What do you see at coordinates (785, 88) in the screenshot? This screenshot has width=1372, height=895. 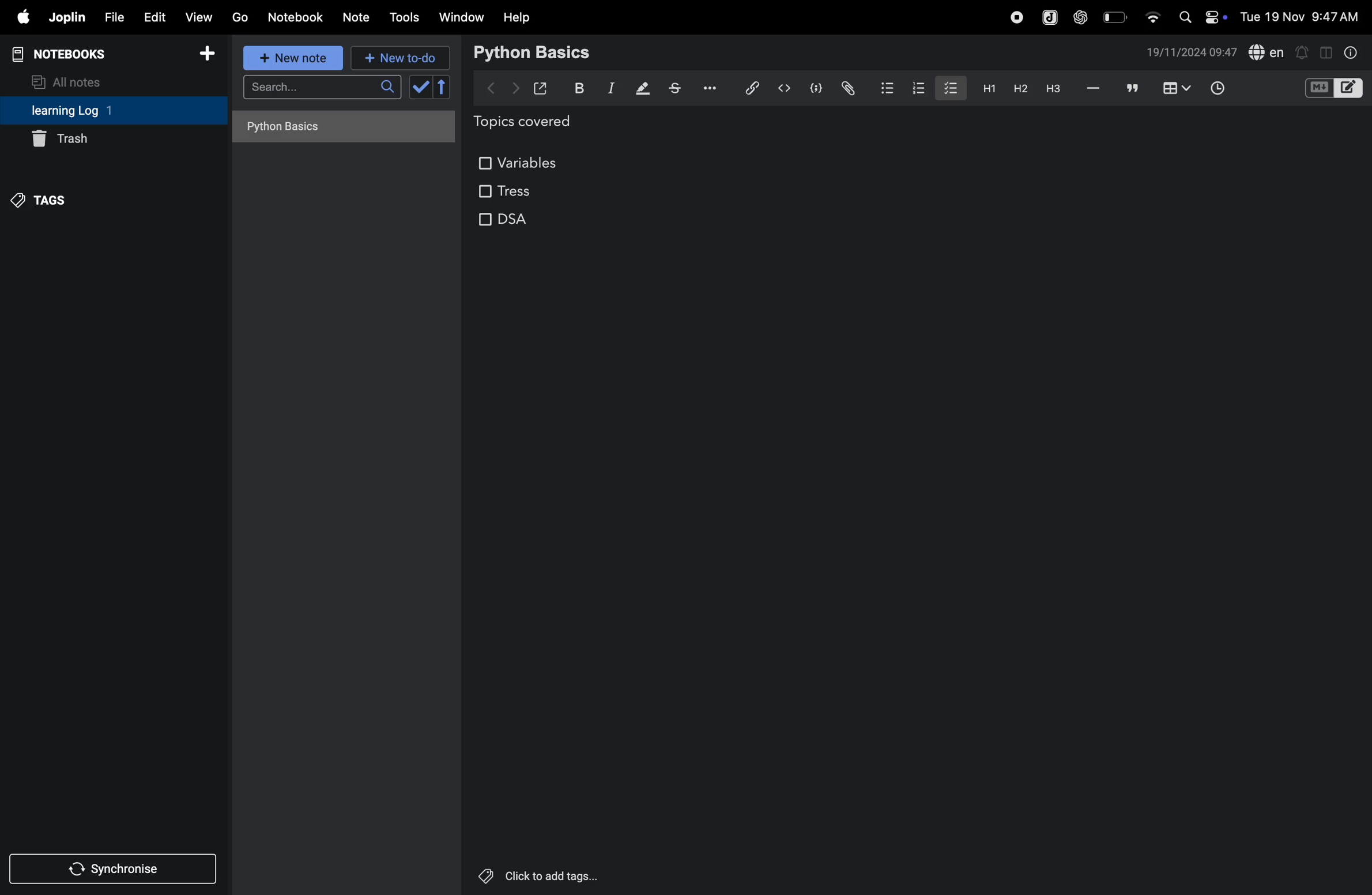 I see `insert code` at bounding box center [785, 88].